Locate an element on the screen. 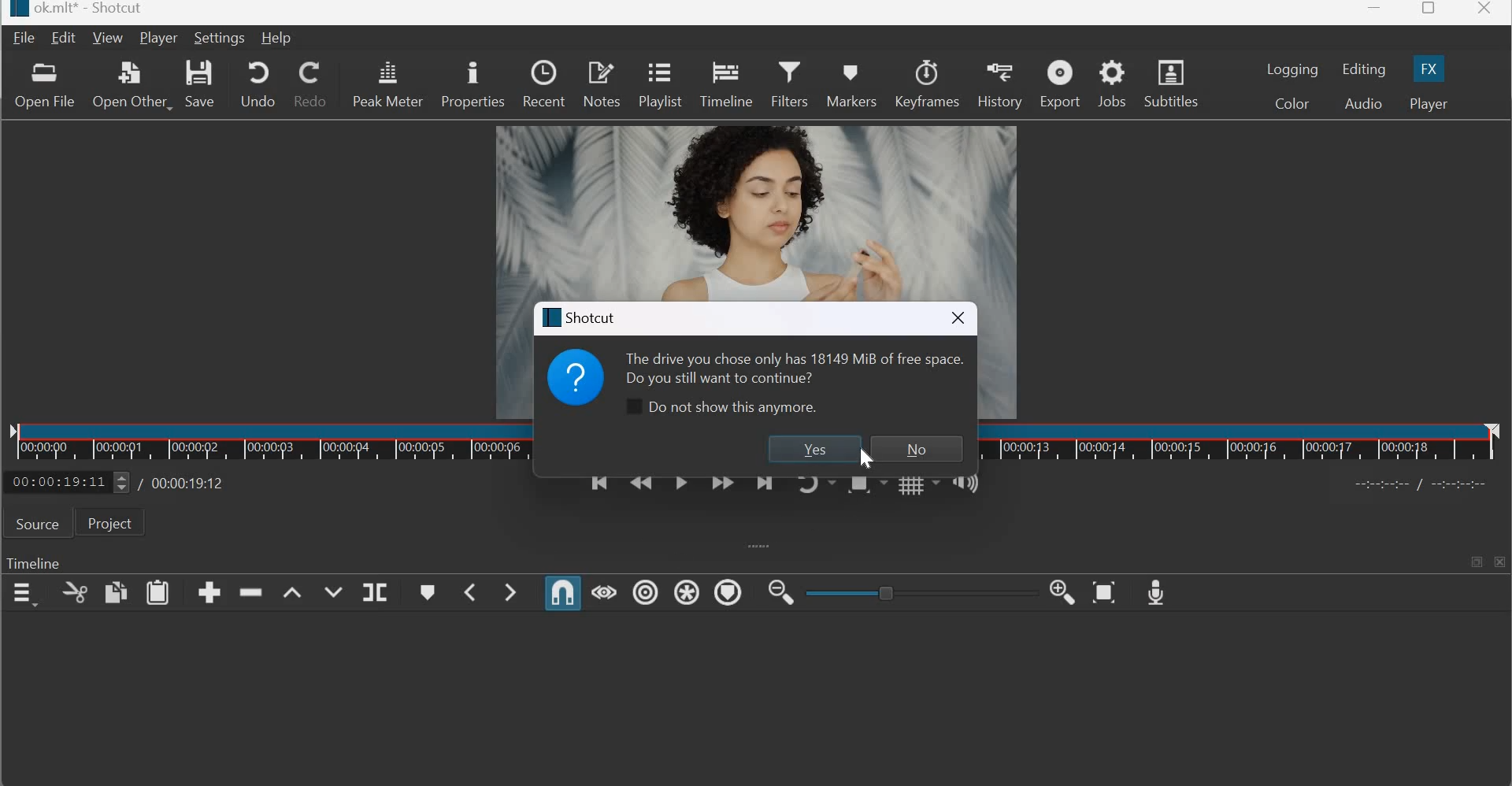 This screenshot has width=1512, height=786. Timeline is located at coordinates (33, 565).